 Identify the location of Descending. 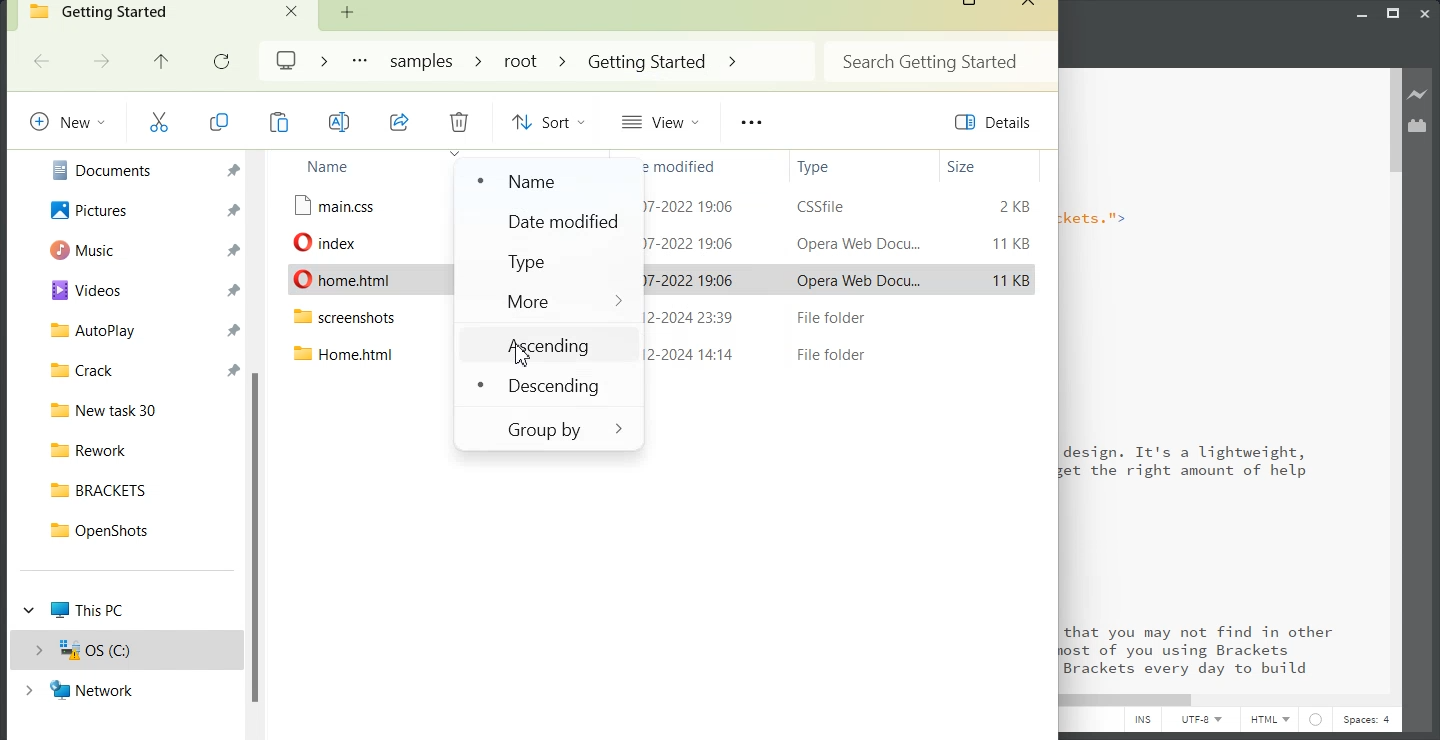
(546, 387).